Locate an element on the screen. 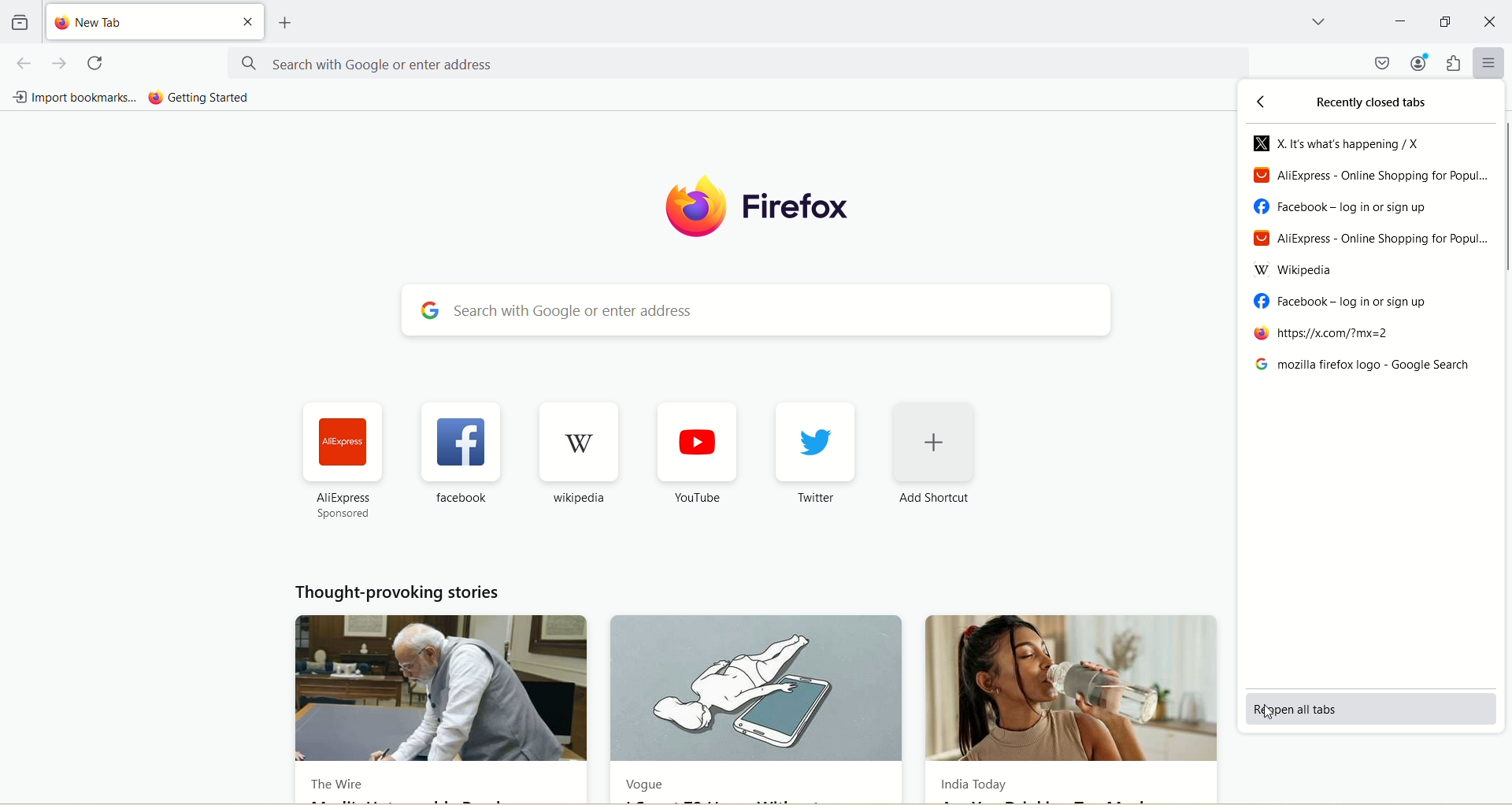 The width and height of the screenshot is (1512, 805). facebook is located at coordinates (457, 499).